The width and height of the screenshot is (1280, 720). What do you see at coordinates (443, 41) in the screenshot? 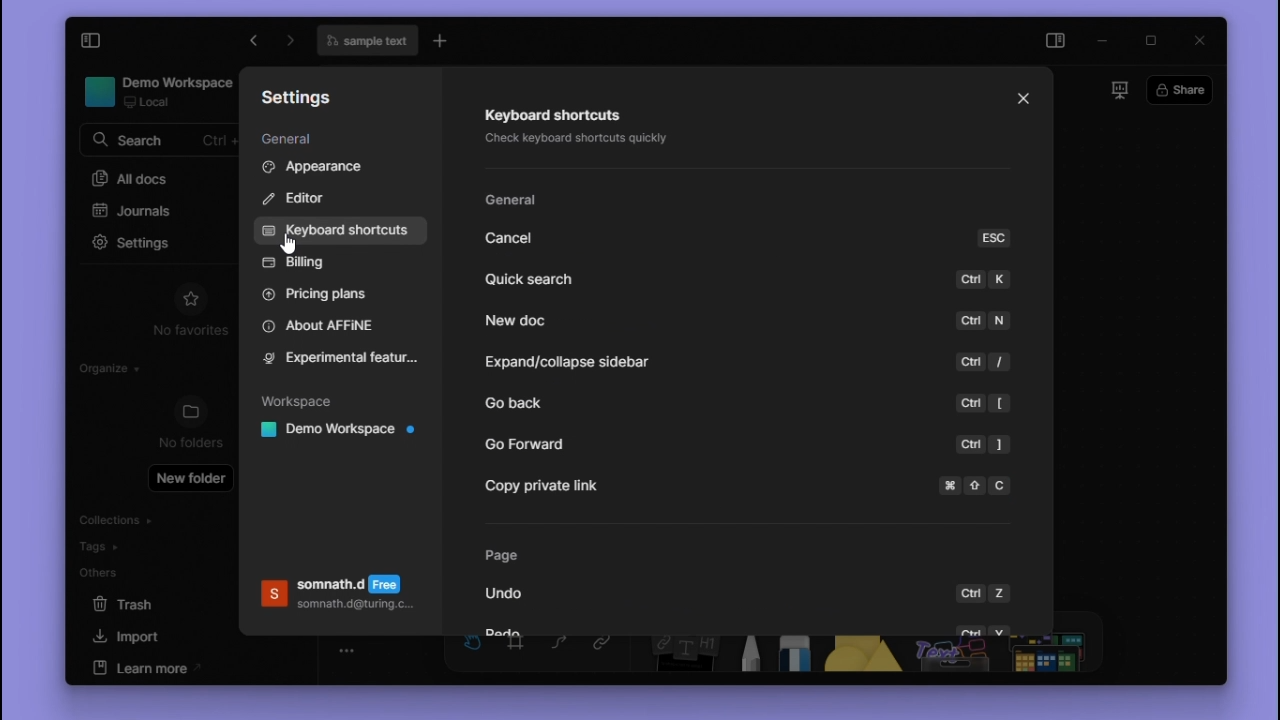
I see `new tab` at bounding box center [443, 41].